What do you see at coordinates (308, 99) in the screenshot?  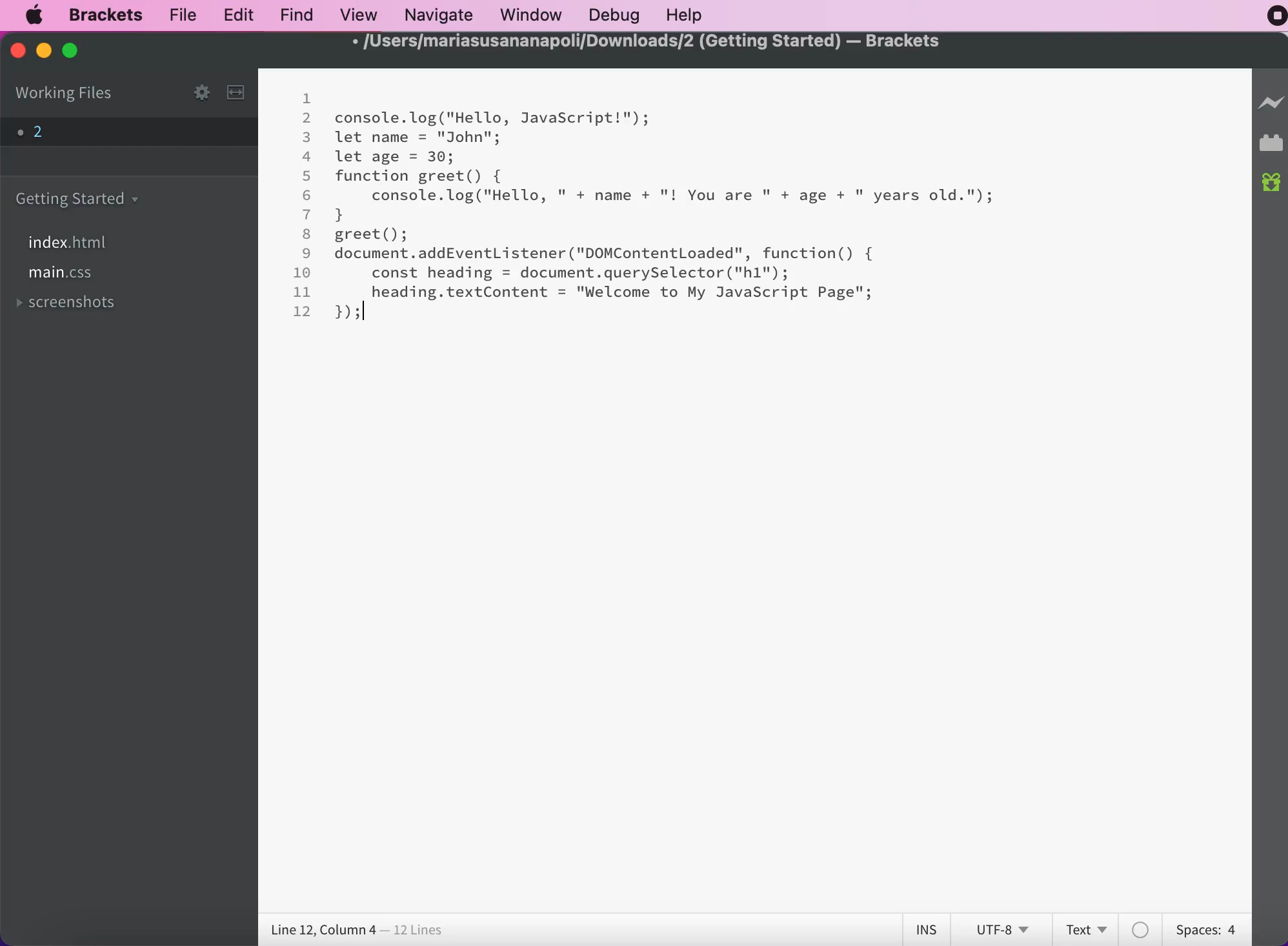 I see `1` at bounding box center [308, 99].